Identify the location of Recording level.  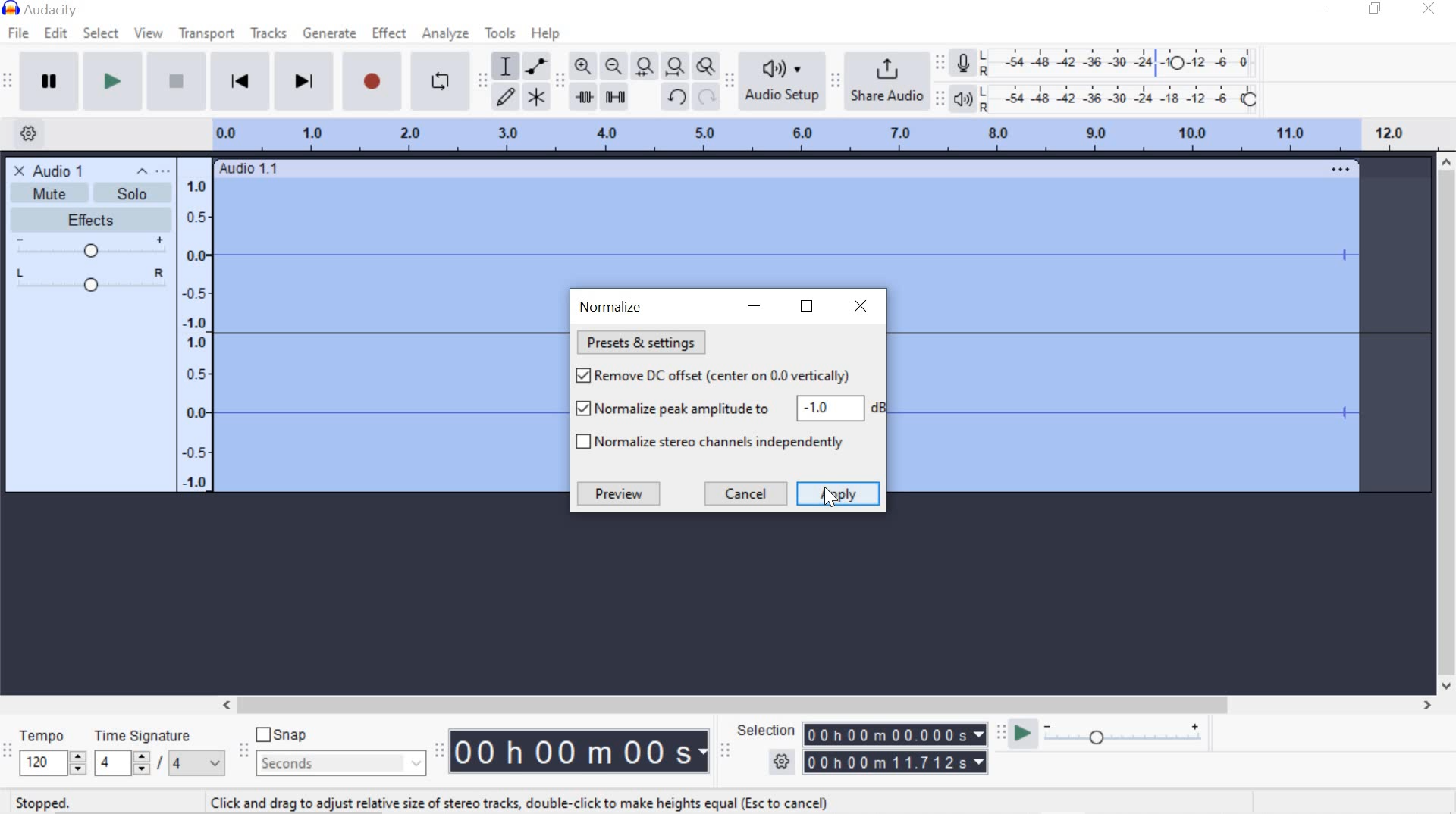
(1125, 59).